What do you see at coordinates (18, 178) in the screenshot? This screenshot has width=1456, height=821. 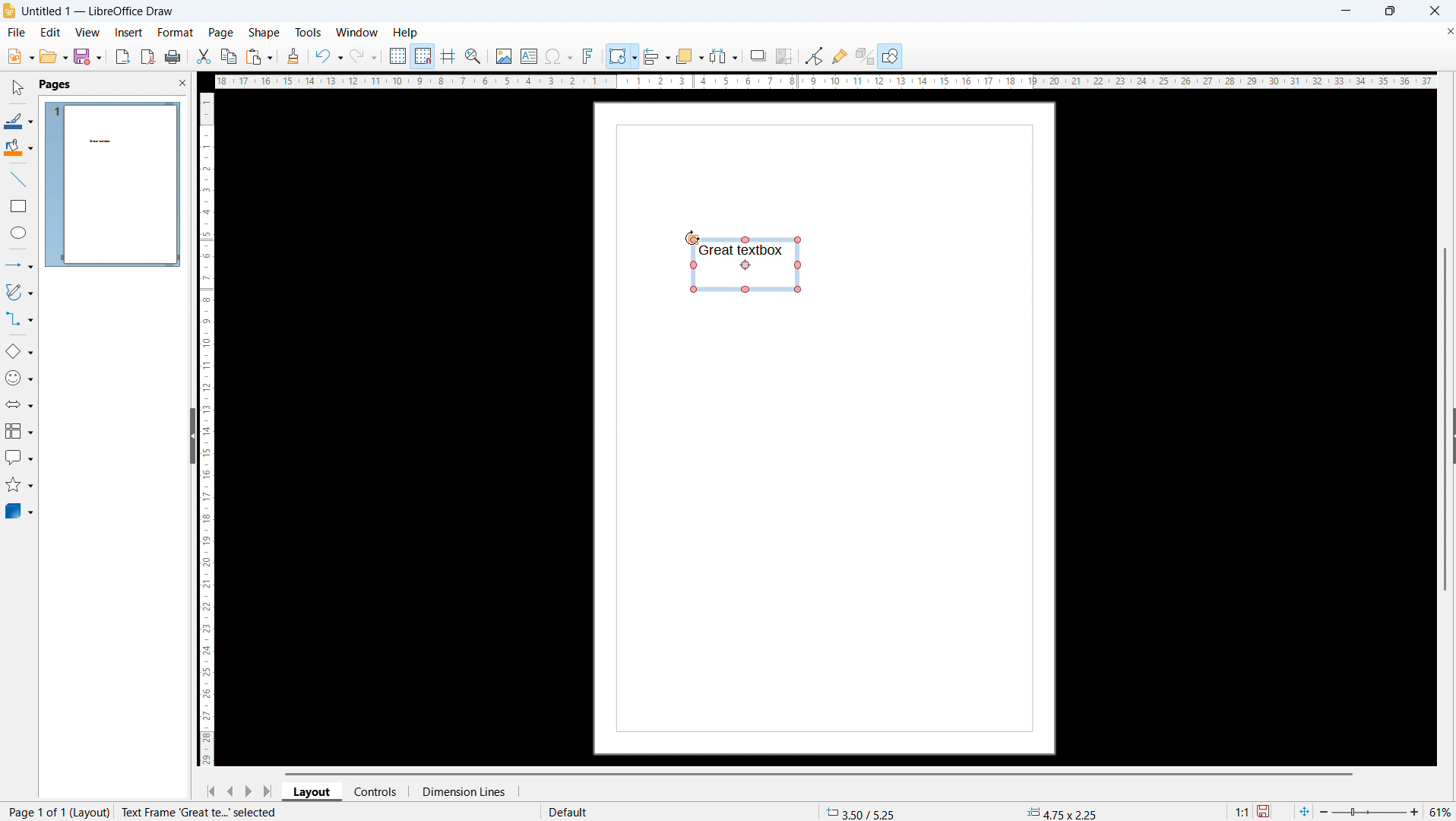 I see `line tool` at bounding box center [18, 178].